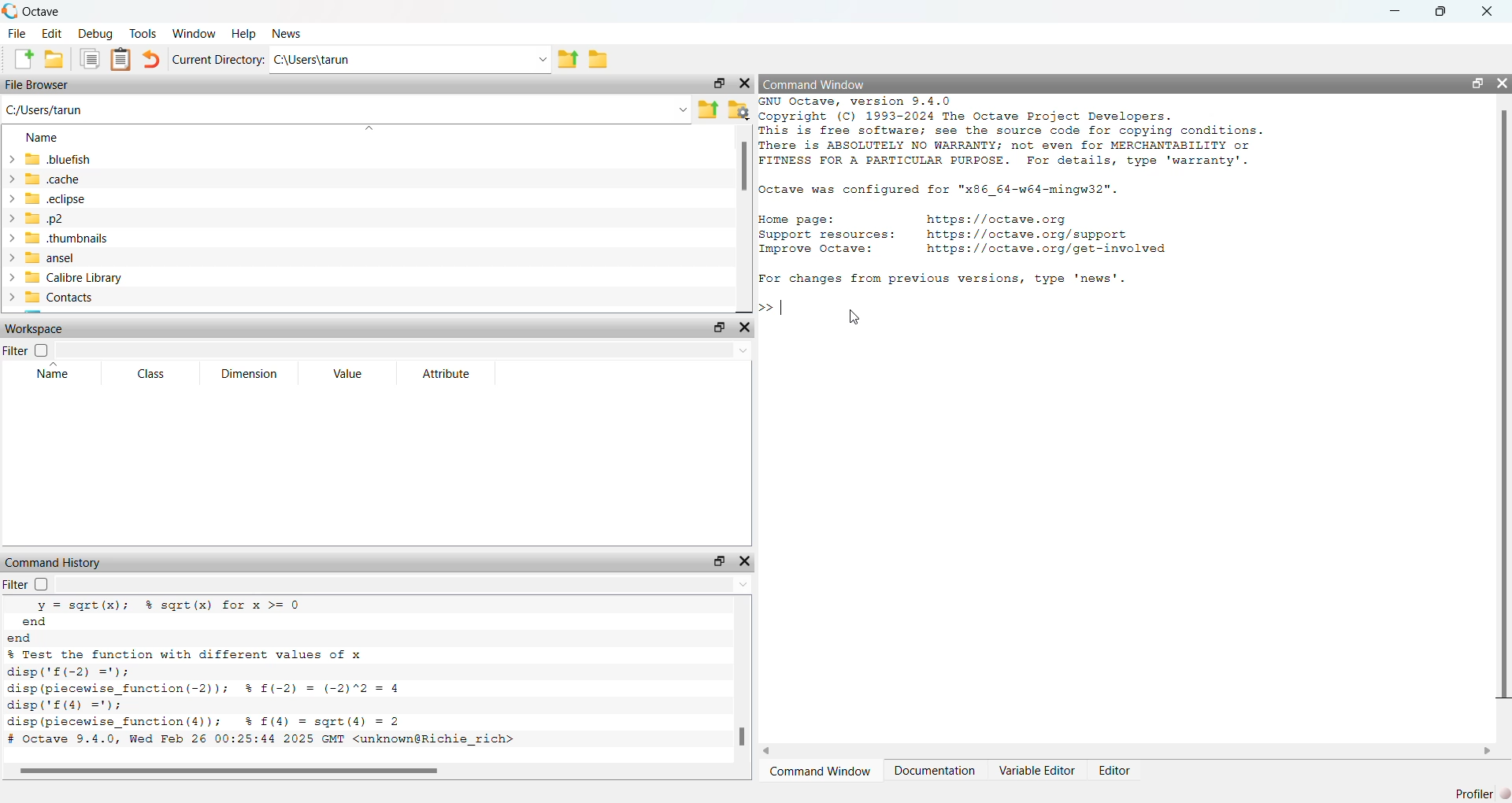 Image resolution: width=1512 pixels, height=803 pixels. Describe the element at coordinates (1506, 405) in the screenshot. I see `Scrollbar` at that location.